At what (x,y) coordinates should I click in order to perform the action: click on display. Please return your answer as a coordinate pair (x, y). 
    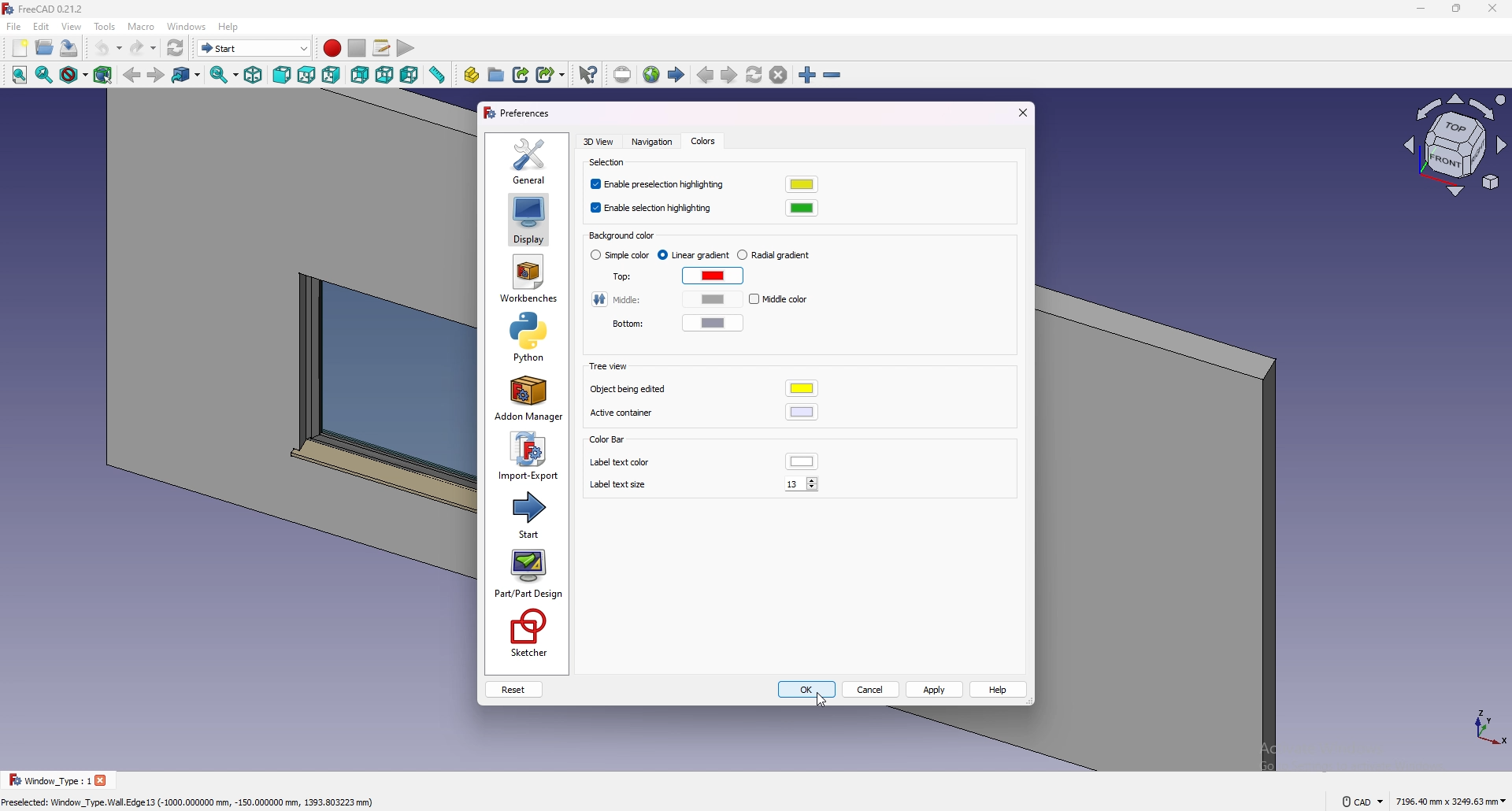
    Looking at the image, I should click on (528, 219).